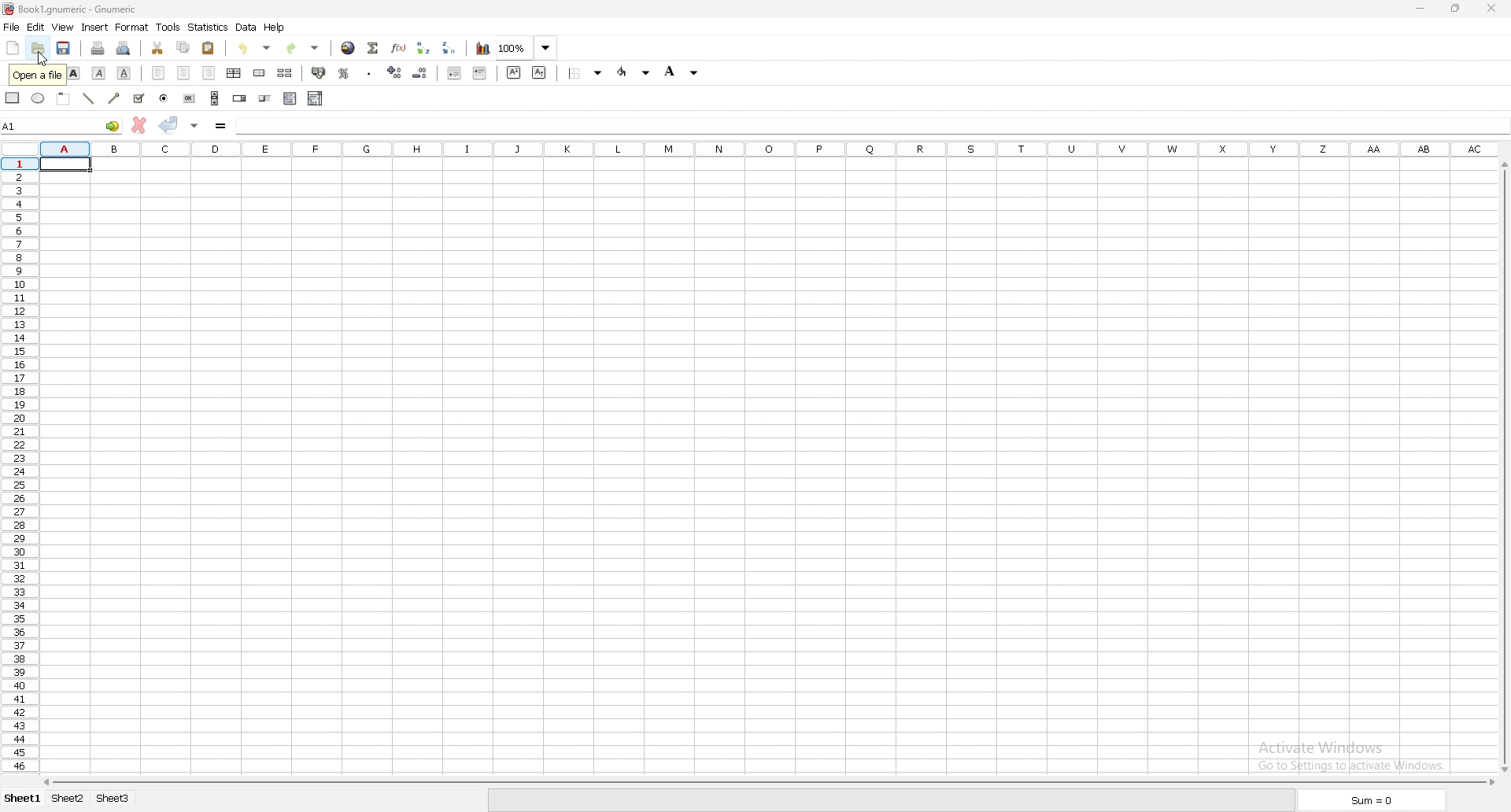 The image size is (1511, 812). What do you see at coordinates (395, 72) in the screenshot?
I see `increase decimals` at bounding box center [395, 72].